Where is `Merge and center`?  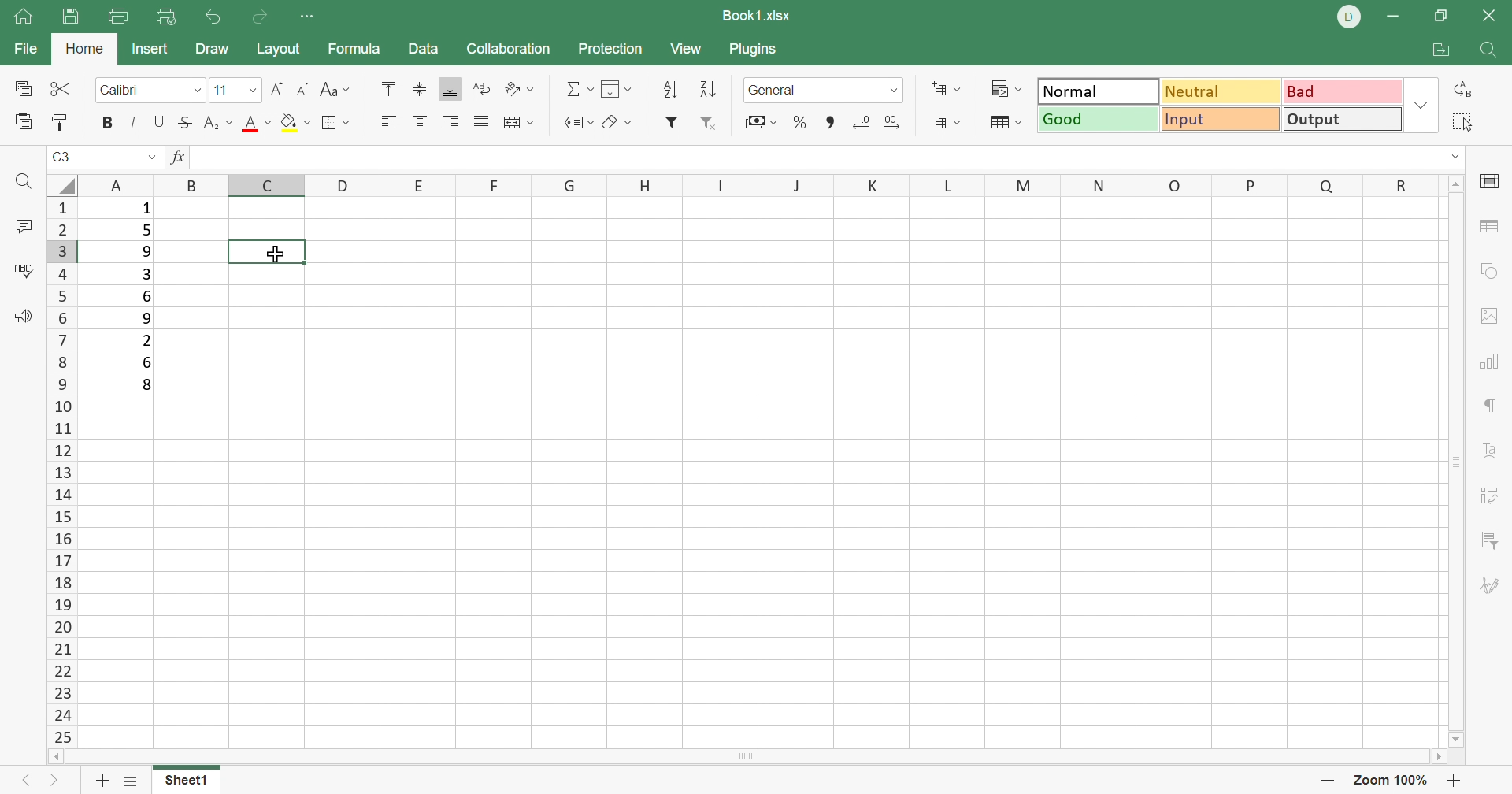 Merge and center is located at coordinates (518, 124).